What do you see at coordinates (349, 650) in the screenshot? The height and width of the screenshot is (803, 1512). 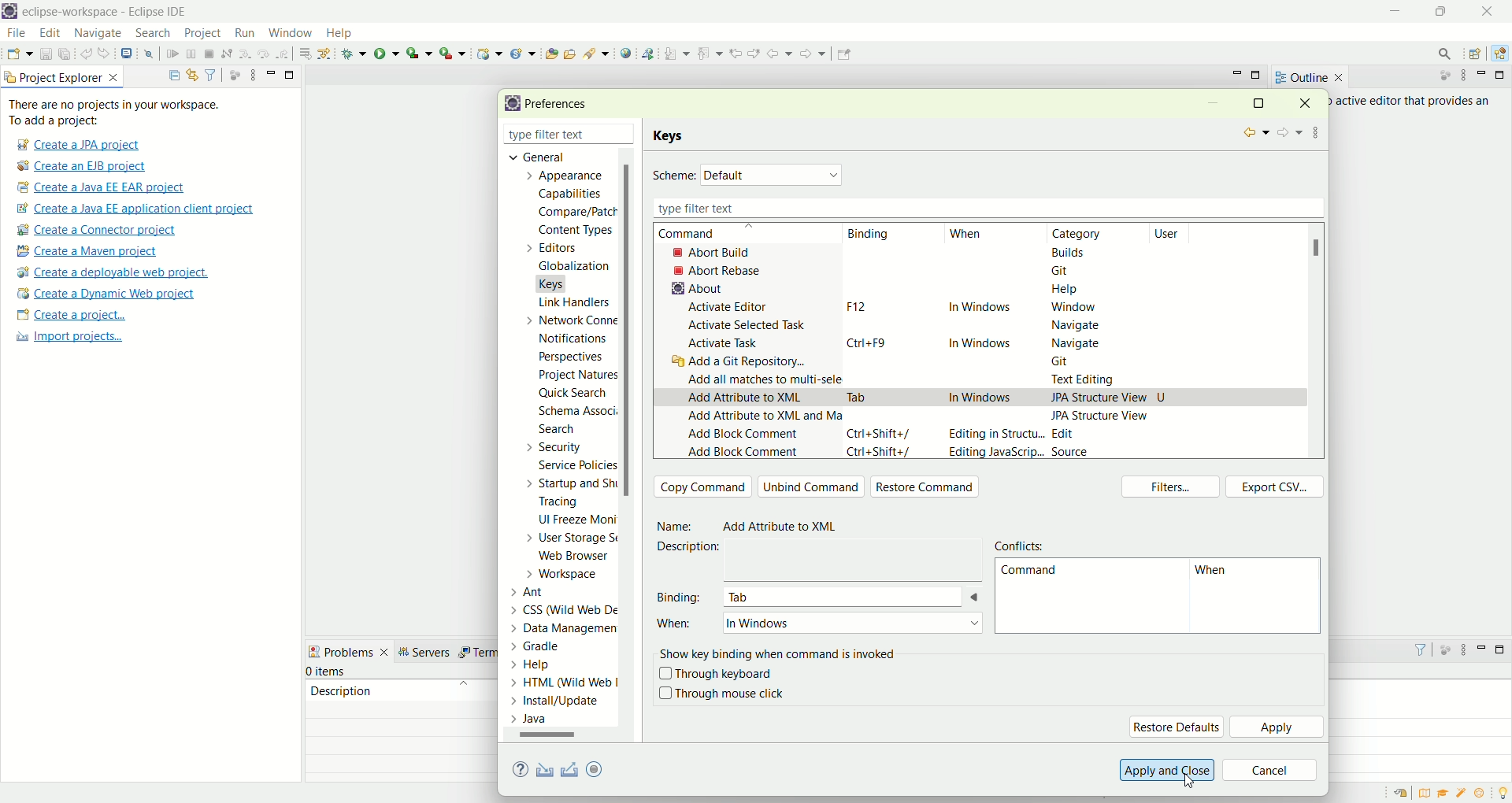 I see `problems` at bounding box center [349, 650].